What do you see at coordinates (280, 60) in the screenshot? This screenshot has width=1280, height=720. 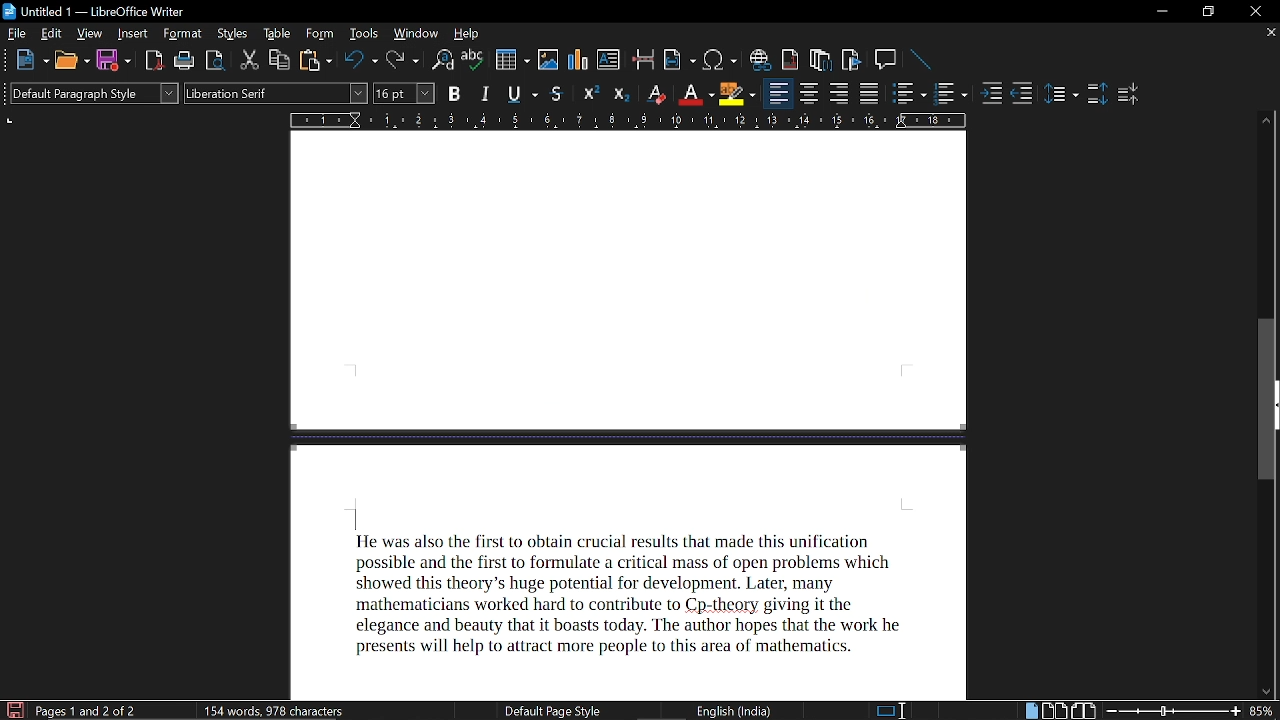 I see `Copy` at bounding box center [280, 60].